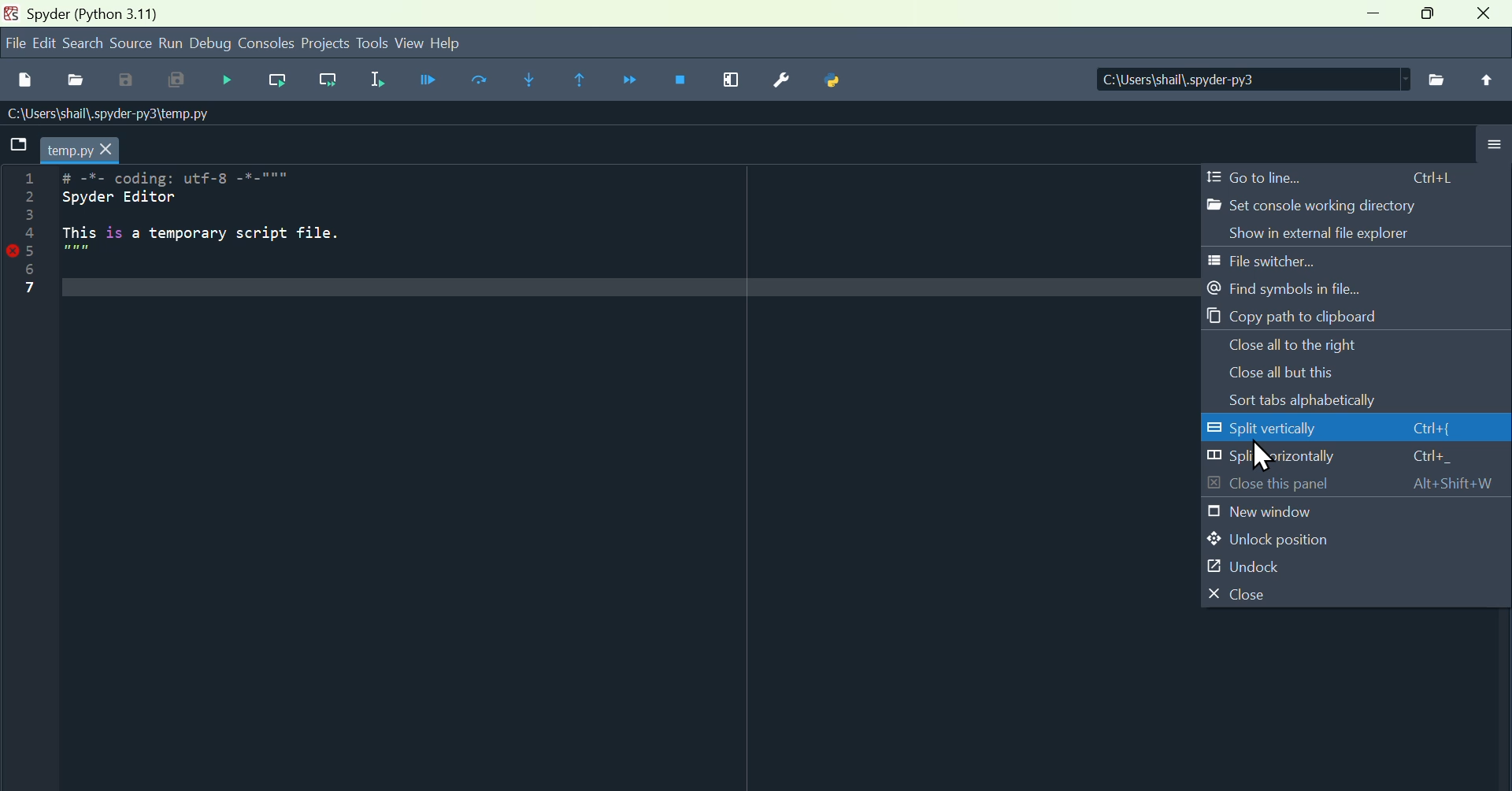 This screenshot has width=1512, height=791. I want to click on Tools, so click(371, 43).